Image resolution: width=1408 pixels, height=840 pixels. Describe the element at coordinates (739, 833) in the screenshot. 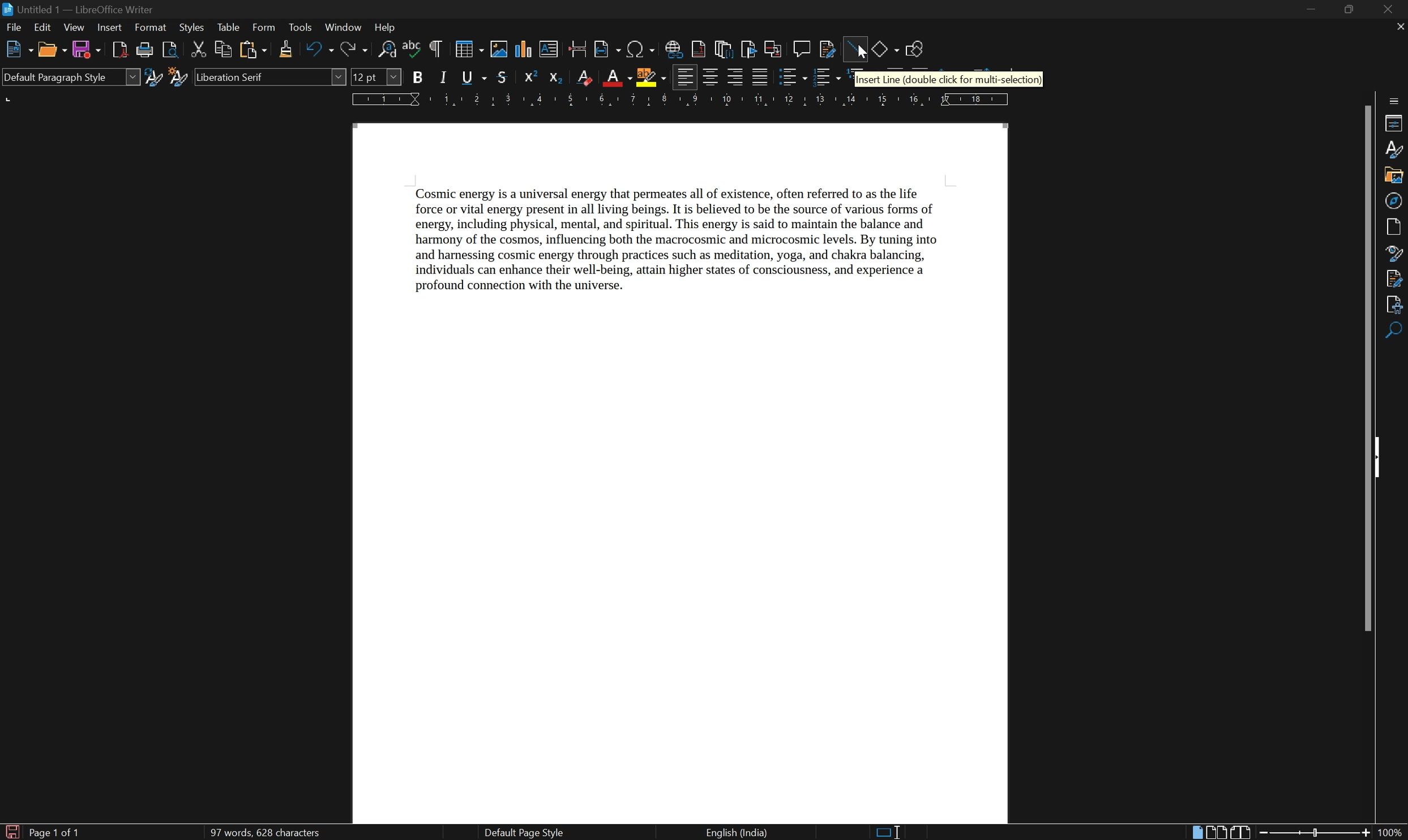

I see `English (India)` at that location.